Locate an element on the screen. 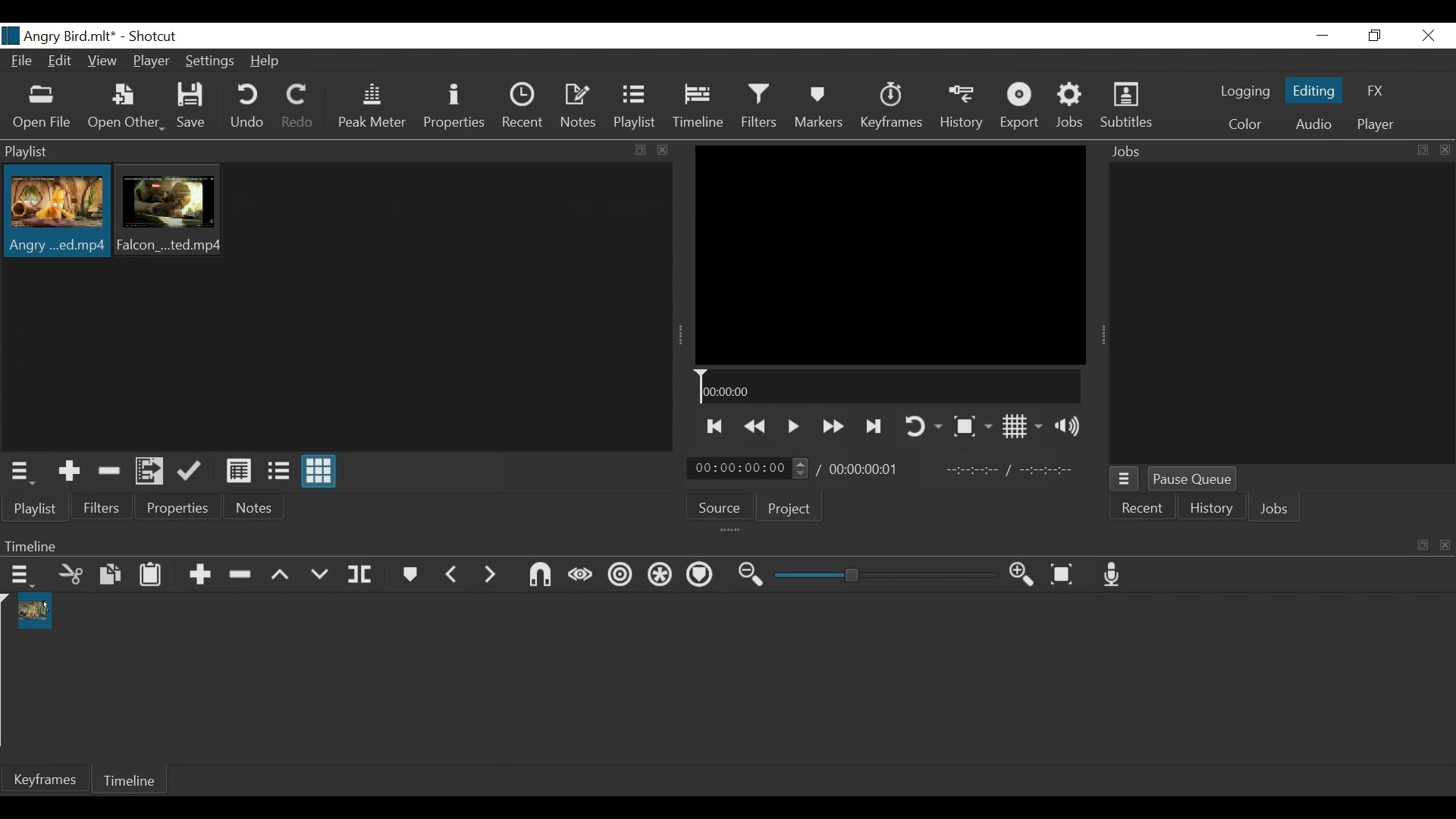 The width and height of the screenshot is (1456, 819). Edit is located at coordinates (62, 61).